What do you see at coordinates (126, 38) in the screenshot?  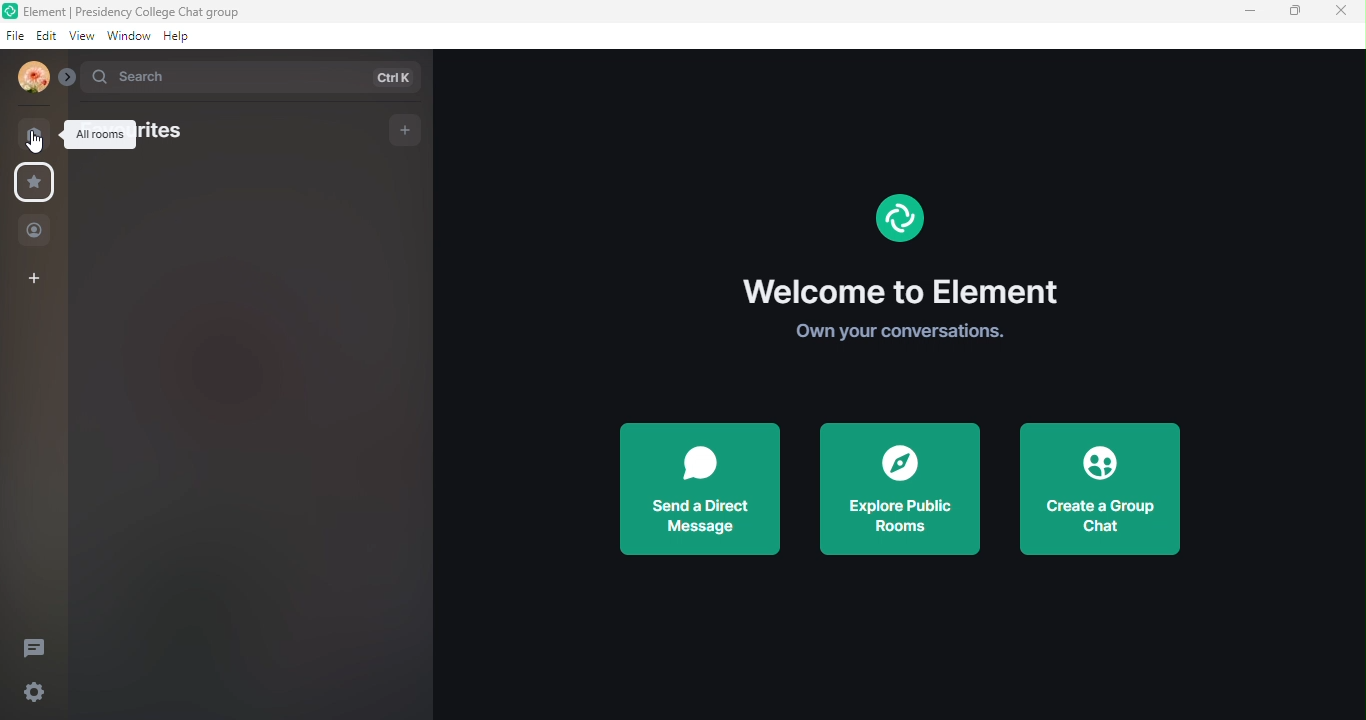 I see `window` at bounding box center [126, 38].